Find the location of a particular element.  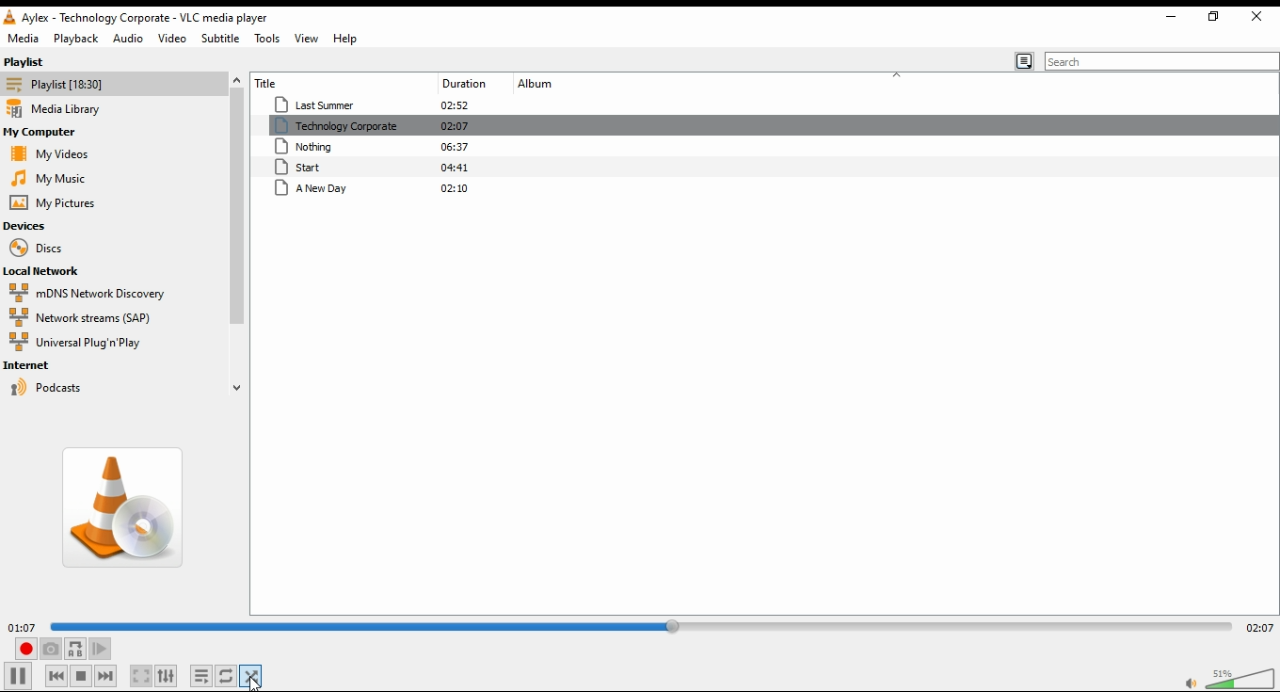

toggle playlist is located at coordinates (201, 675).